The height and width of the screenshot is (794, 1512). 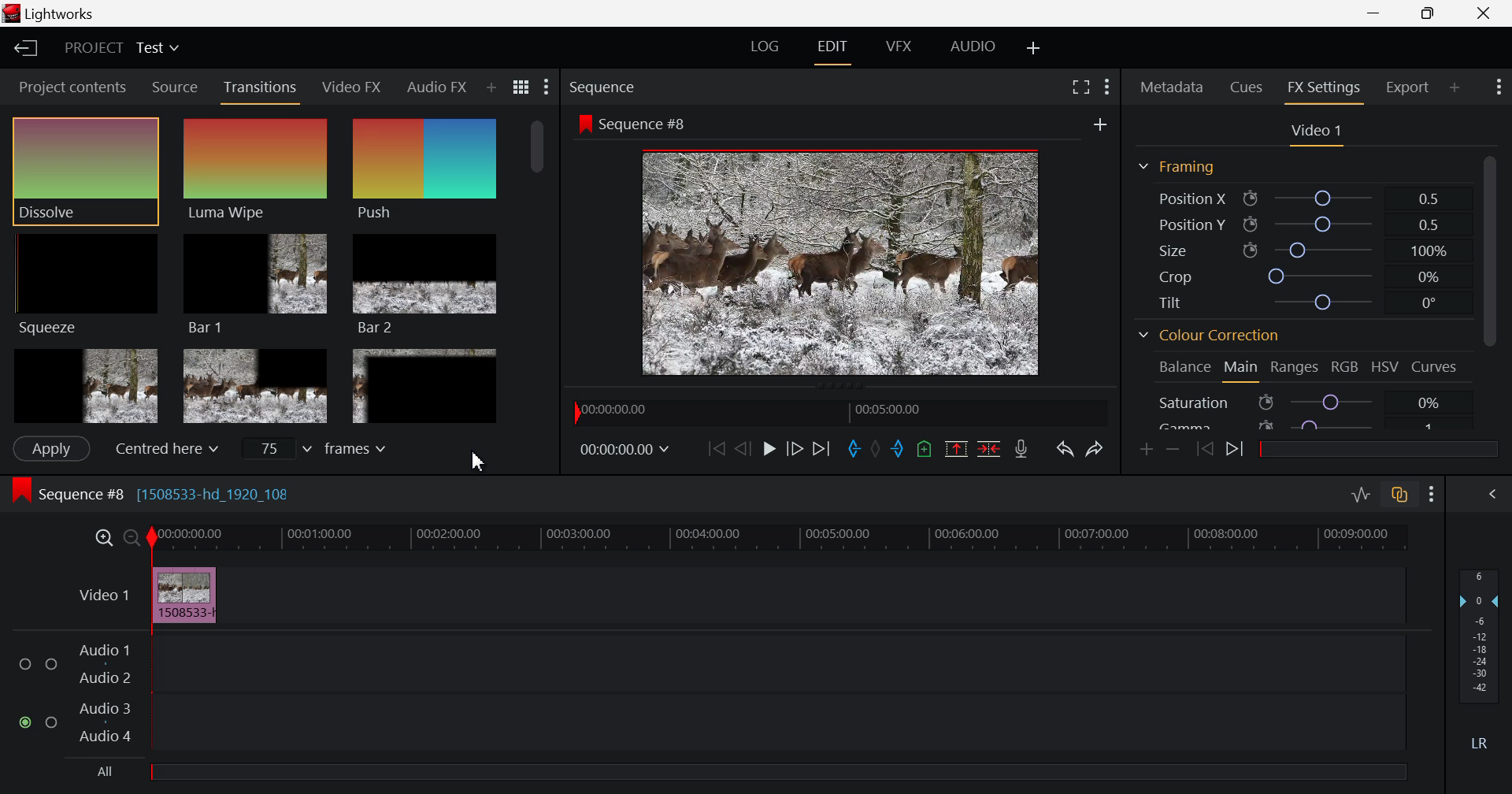 I want to click on Go Back, so click(x=743, y=450).